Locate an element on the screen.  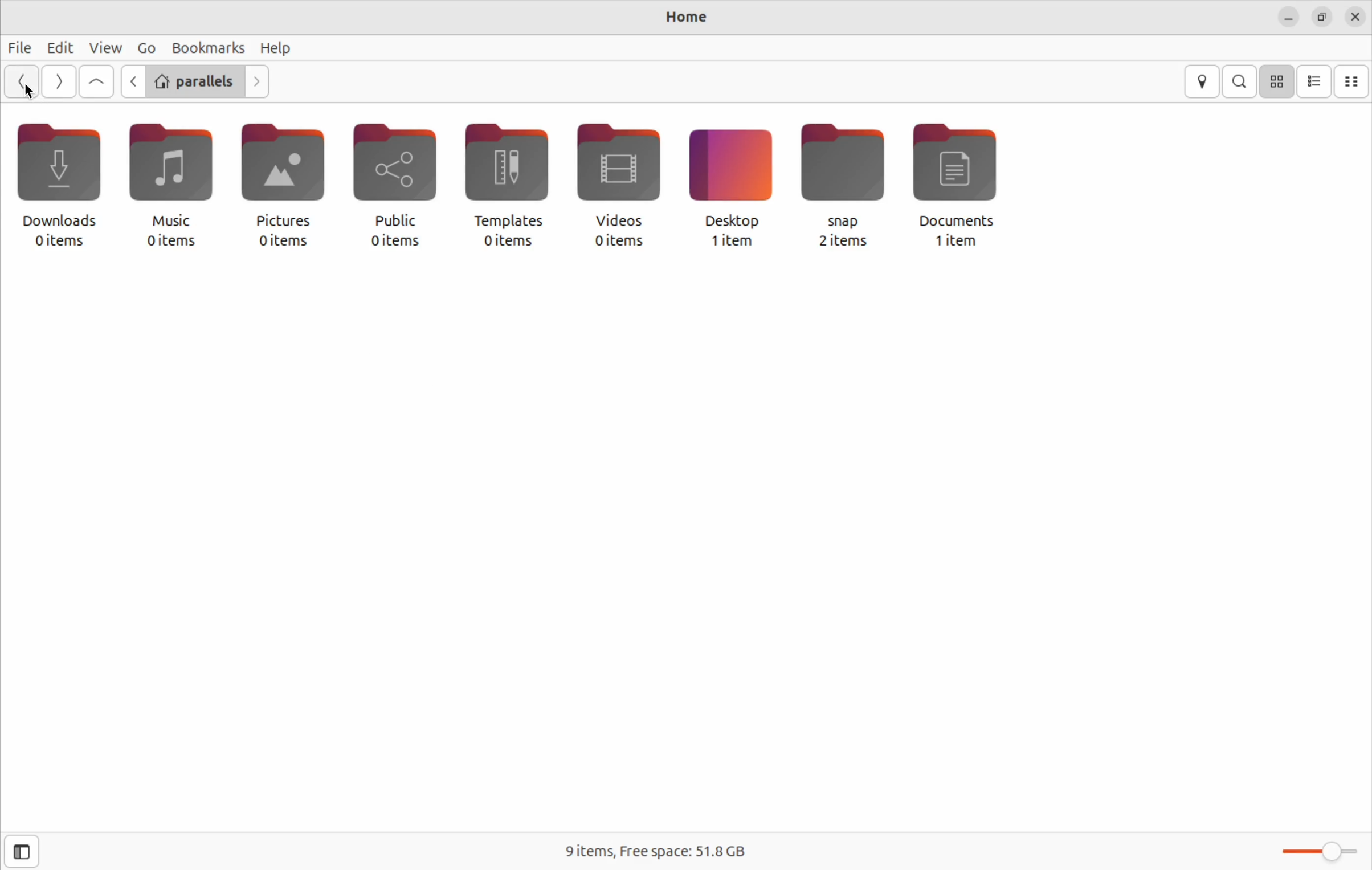
parallels is located at coordinates (195, 81).